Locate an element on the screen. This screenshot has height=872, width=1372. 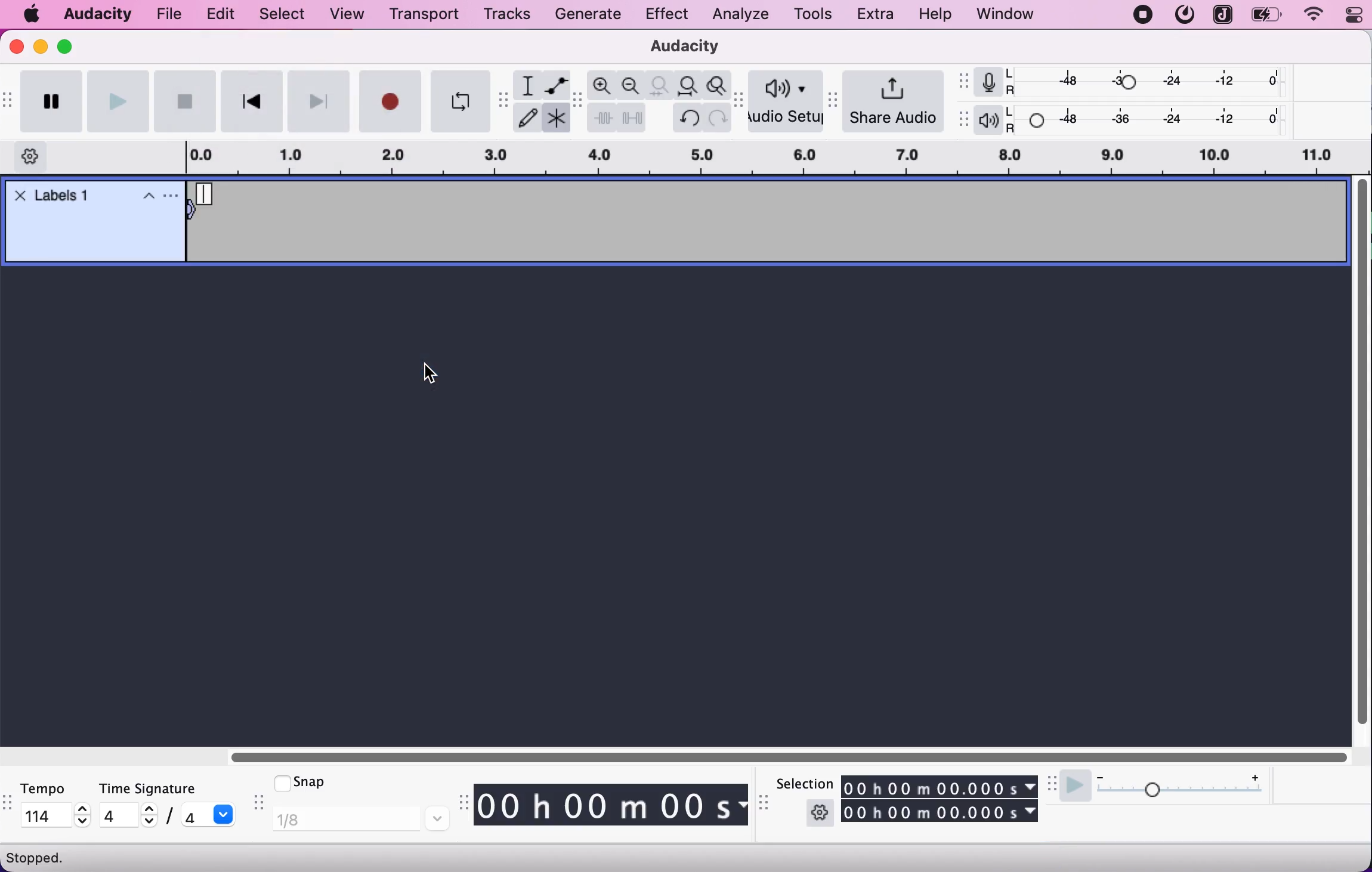
audacity playback meter toolbar is located at coordinates (962, 120).